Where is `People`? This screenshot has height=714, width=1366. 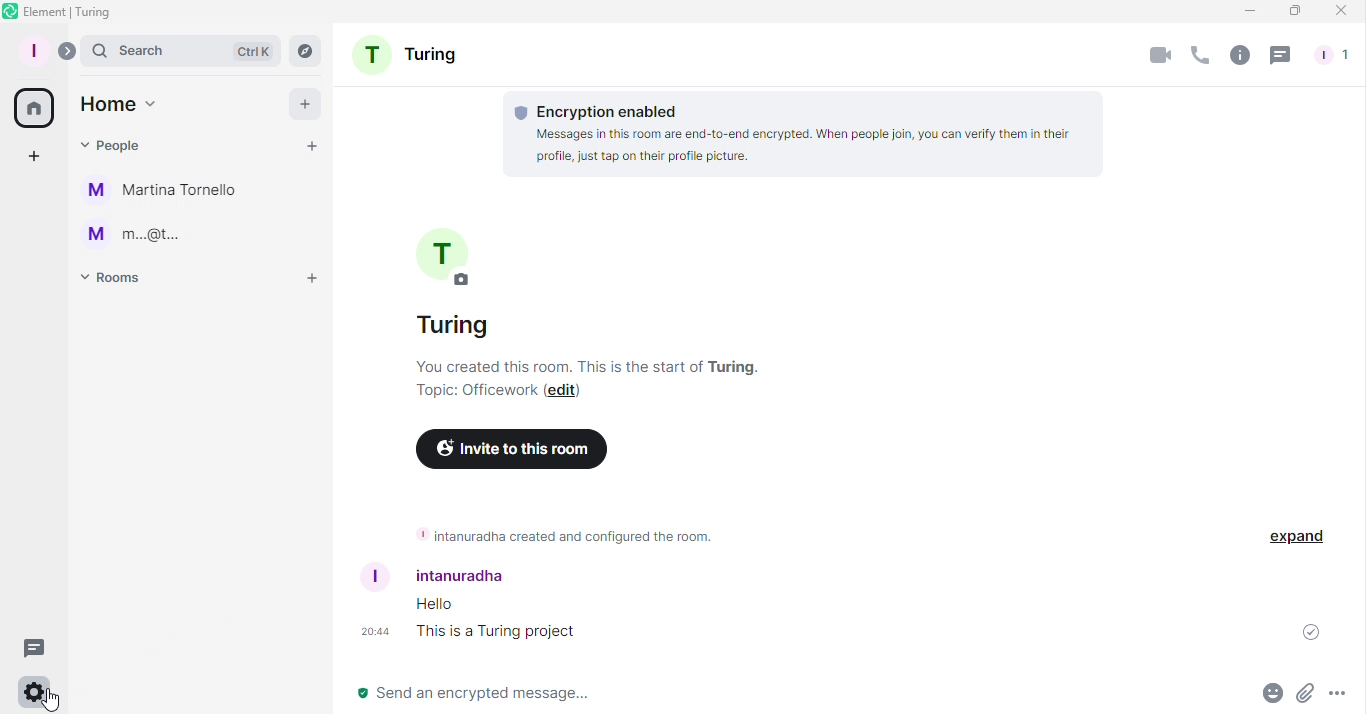
People is located at coordinates (1337, 52).